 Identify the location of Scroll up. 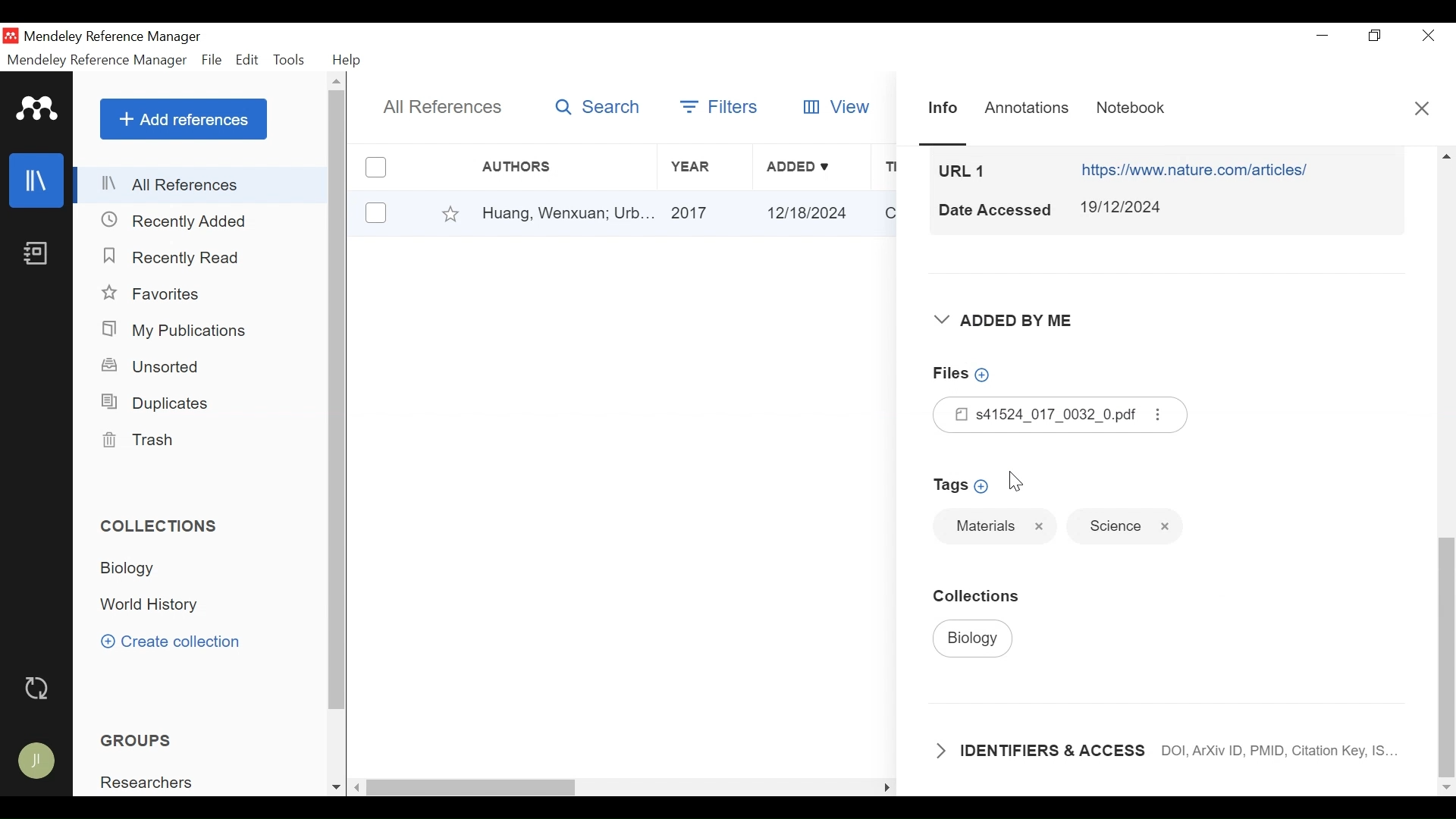
(338, 82).